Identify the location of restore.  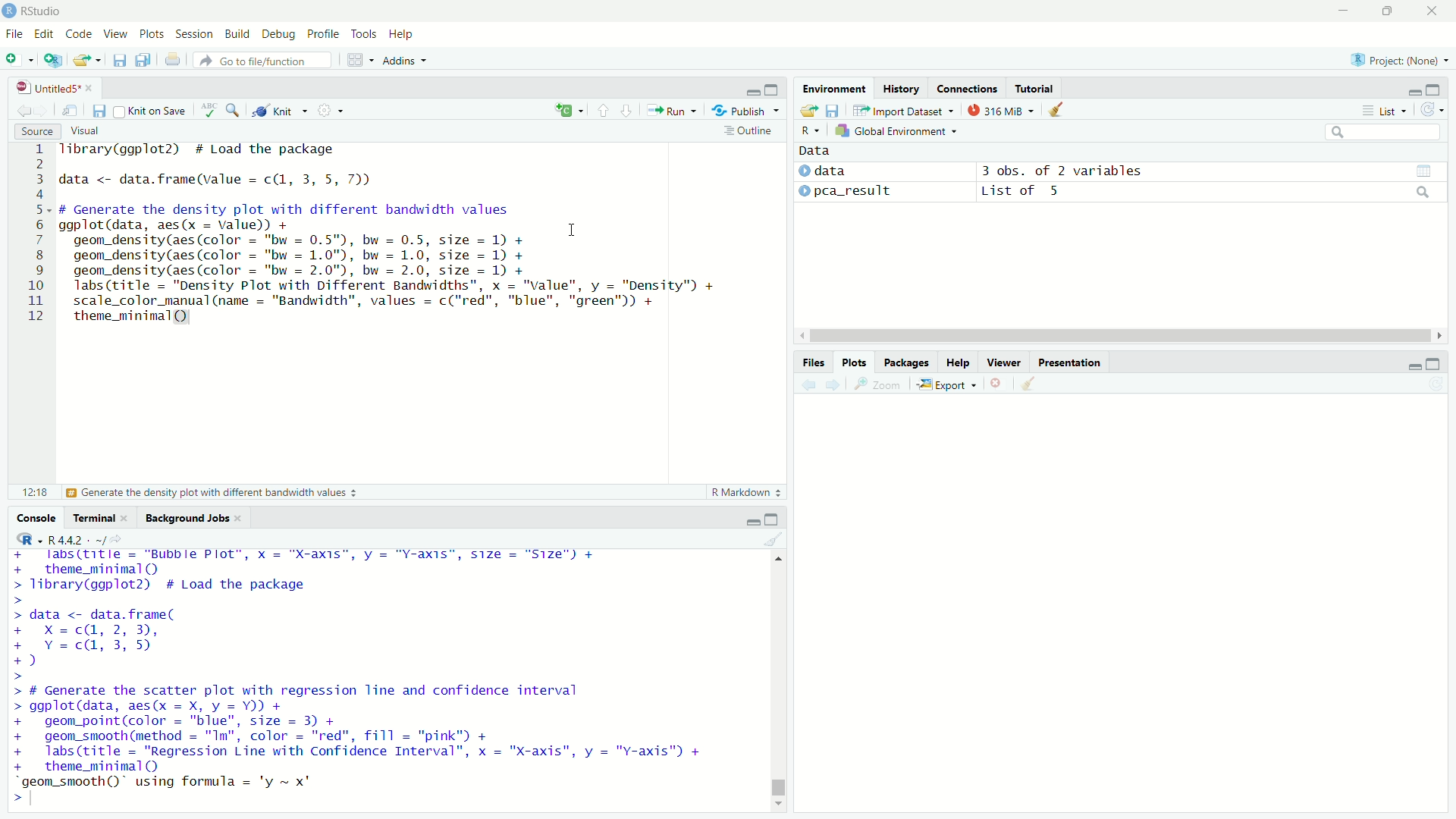
(1388, 11).